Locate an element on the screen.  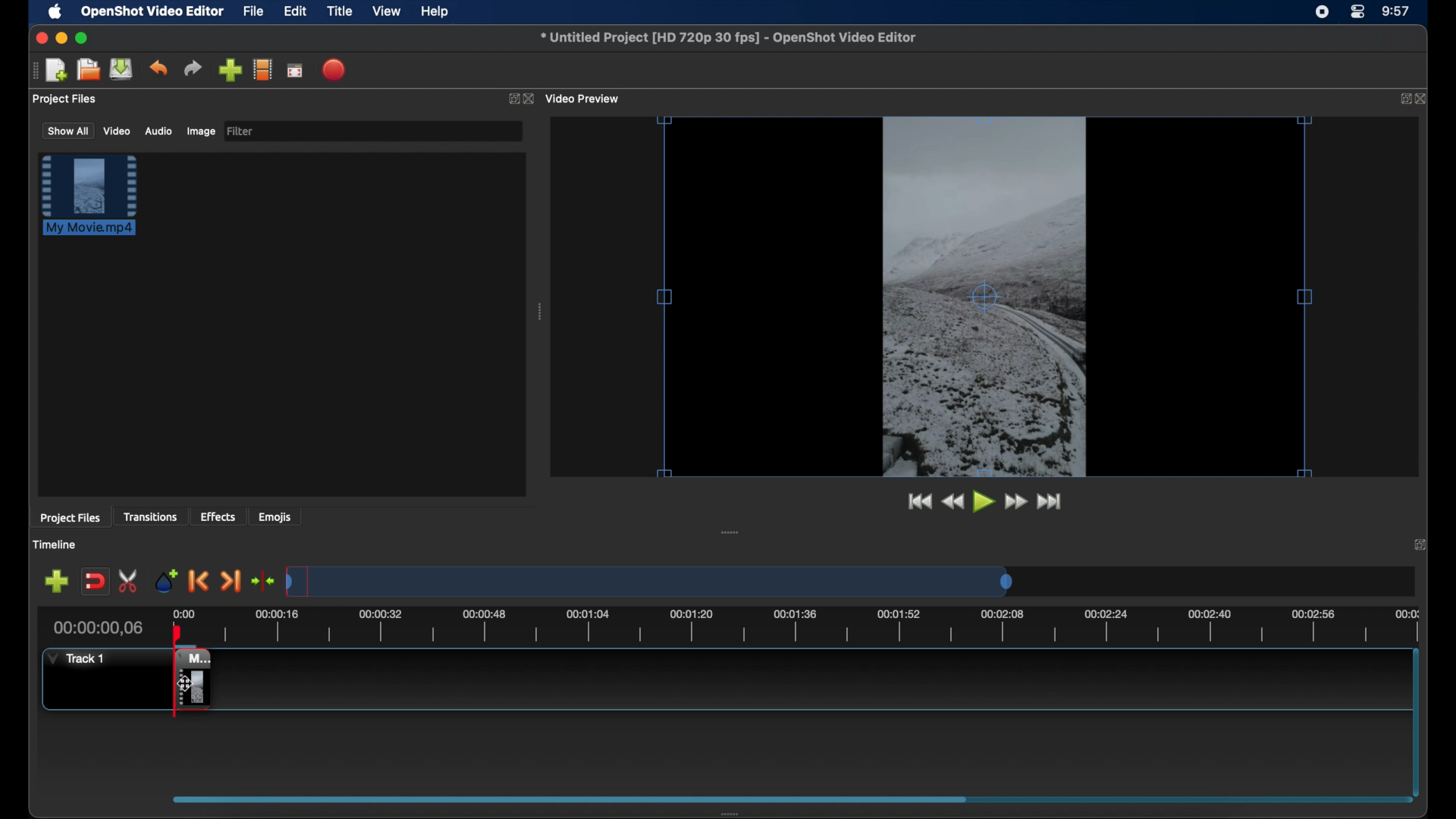
video preview is located at coordinates (985, 298).